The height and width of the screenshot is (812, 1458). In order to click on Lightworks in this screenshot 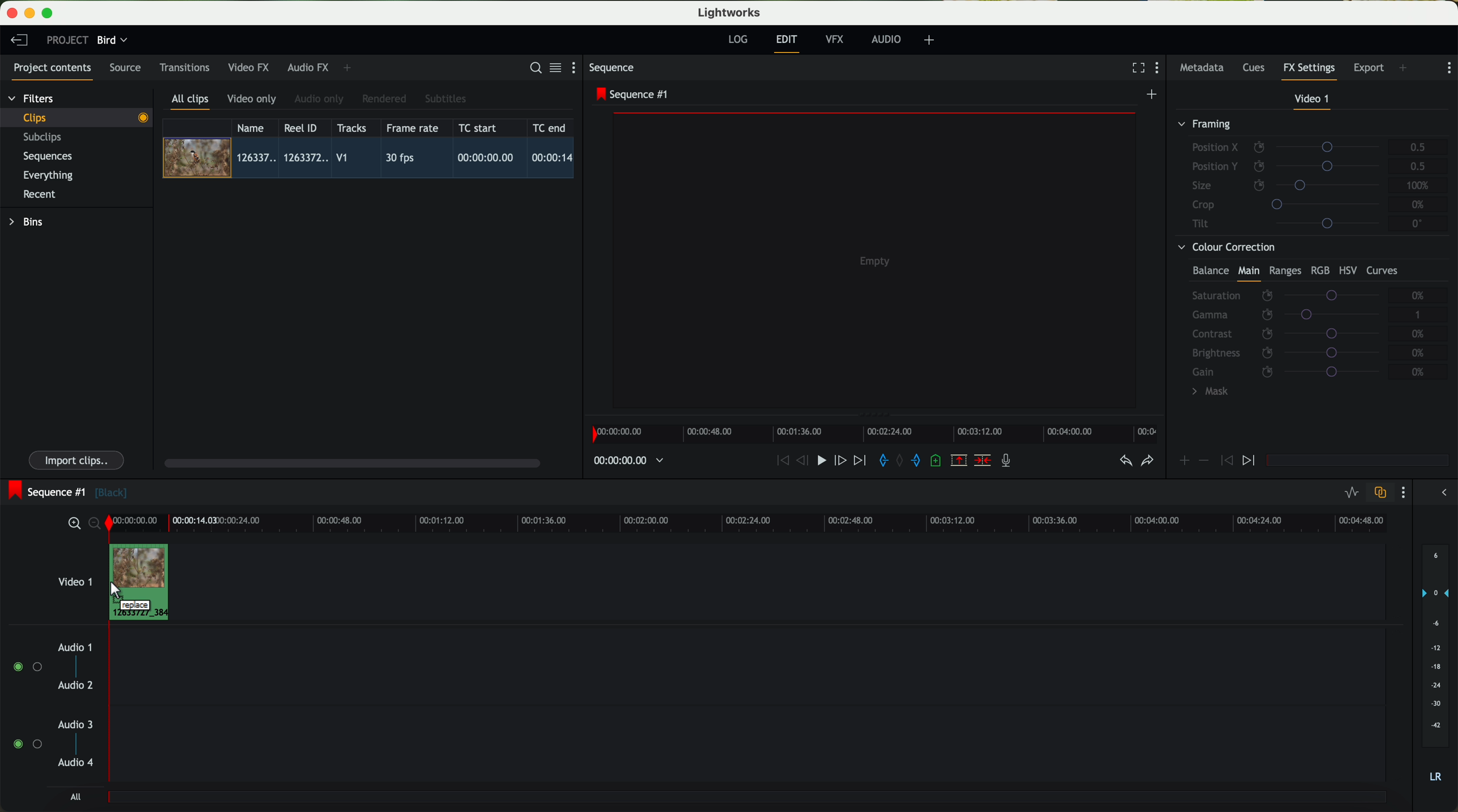, I will do `click(730, 12)`.